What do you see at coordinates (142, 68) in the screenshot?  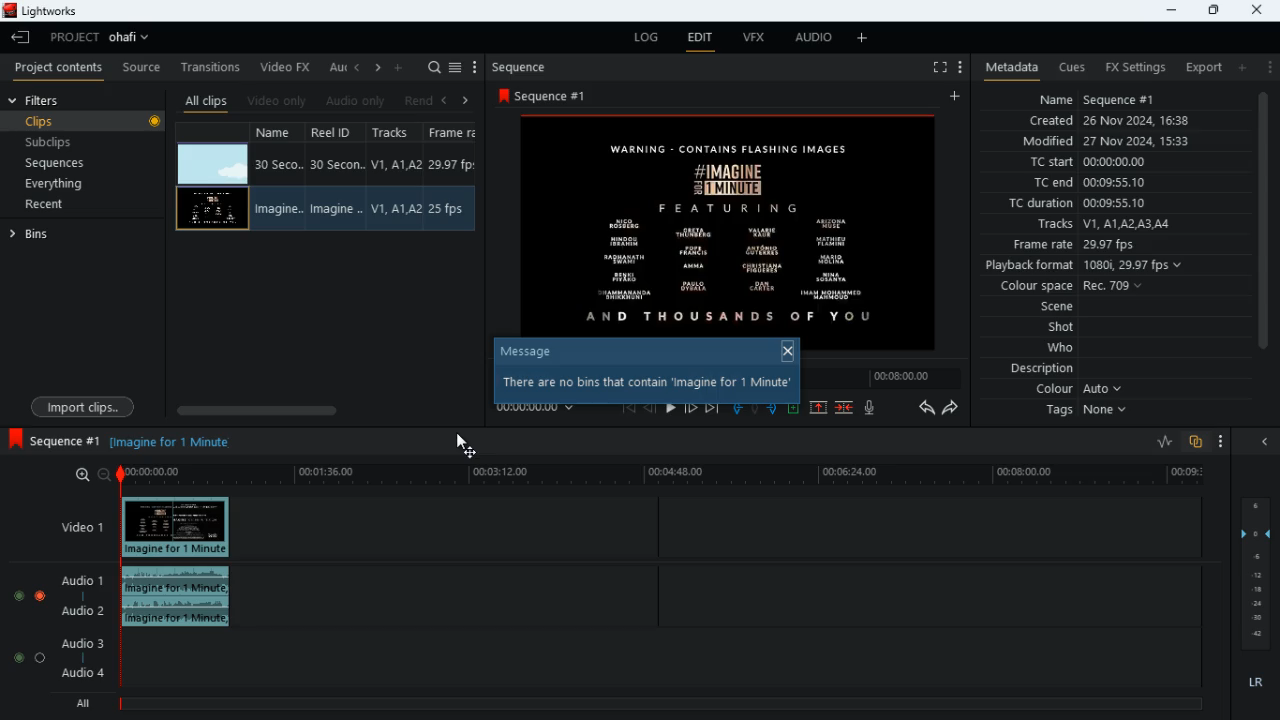 I see `source` at bounding box center [142, 68].